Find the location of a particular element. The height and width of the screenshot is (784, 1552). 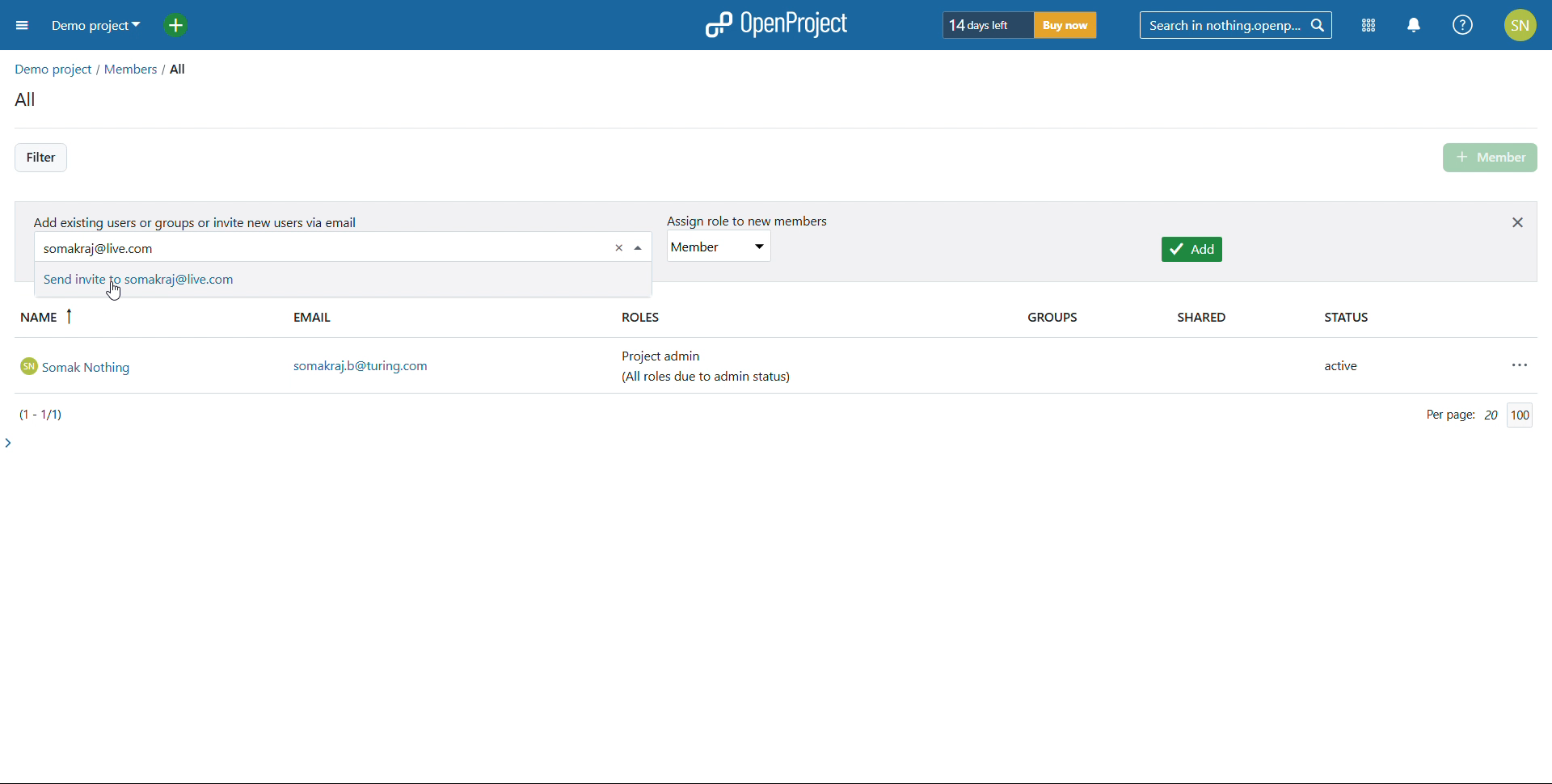

status is located at coordinates (1420, 318).